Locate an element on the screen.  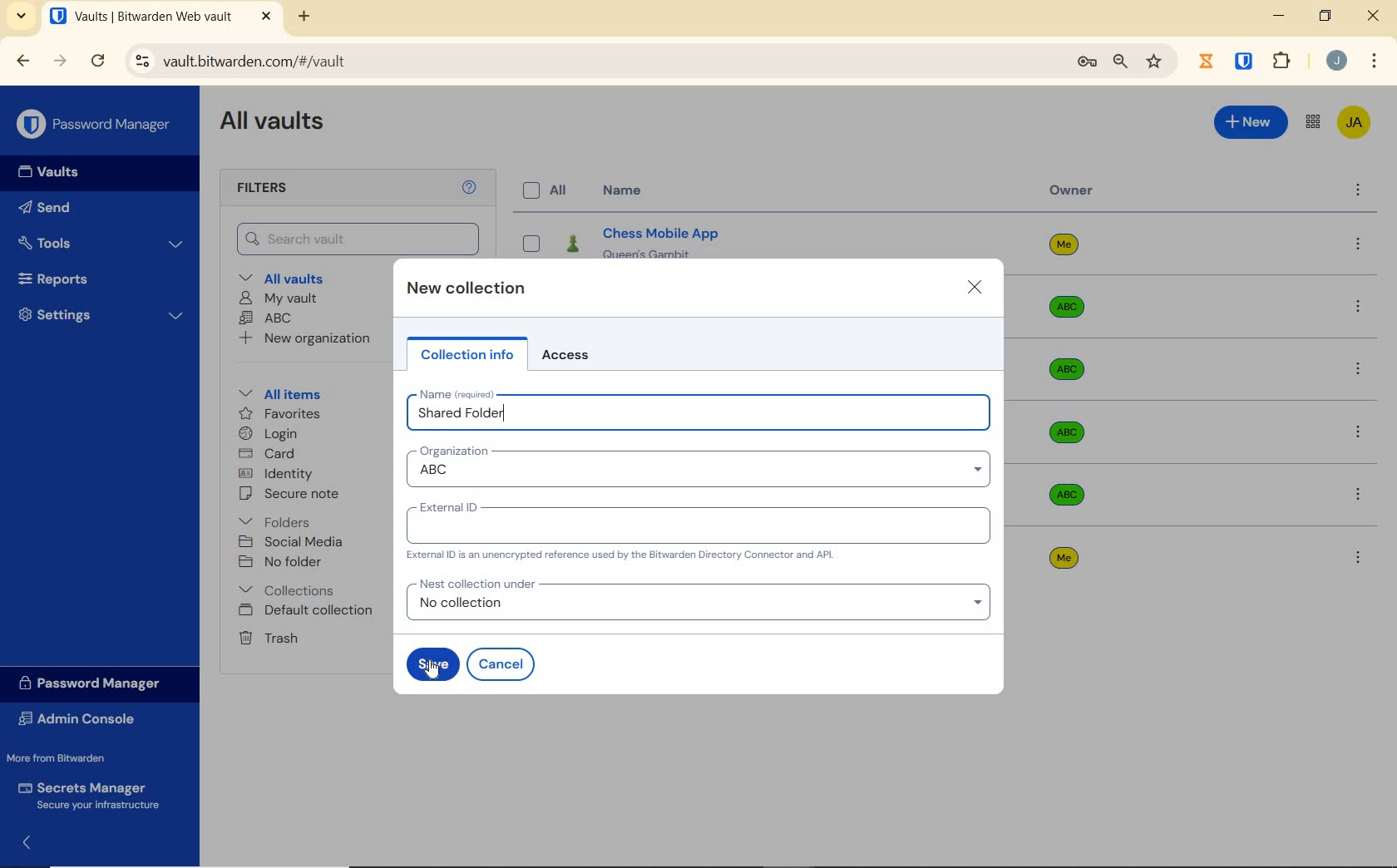
more options is located at coordinates (1361, 557).